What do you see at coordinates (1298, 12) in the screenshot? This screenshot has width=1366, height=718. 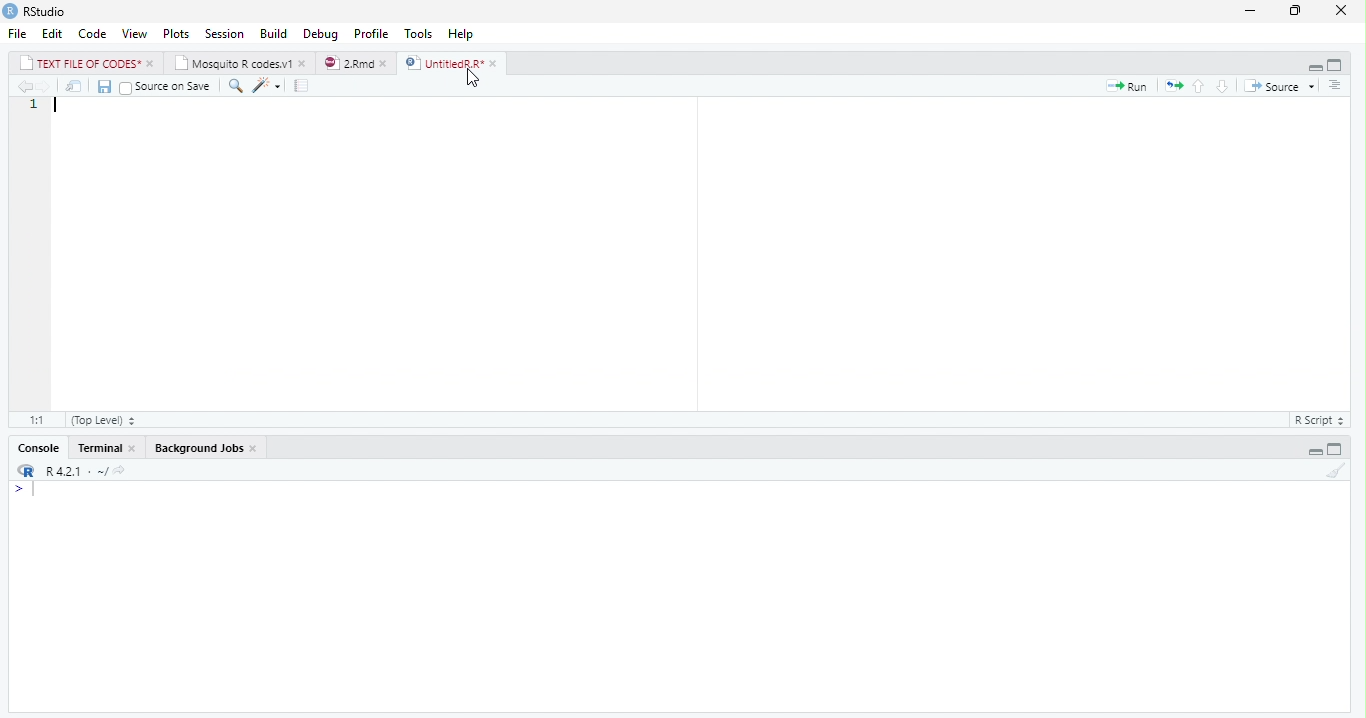 I see `maximize` at bounding box center [1298, 12].